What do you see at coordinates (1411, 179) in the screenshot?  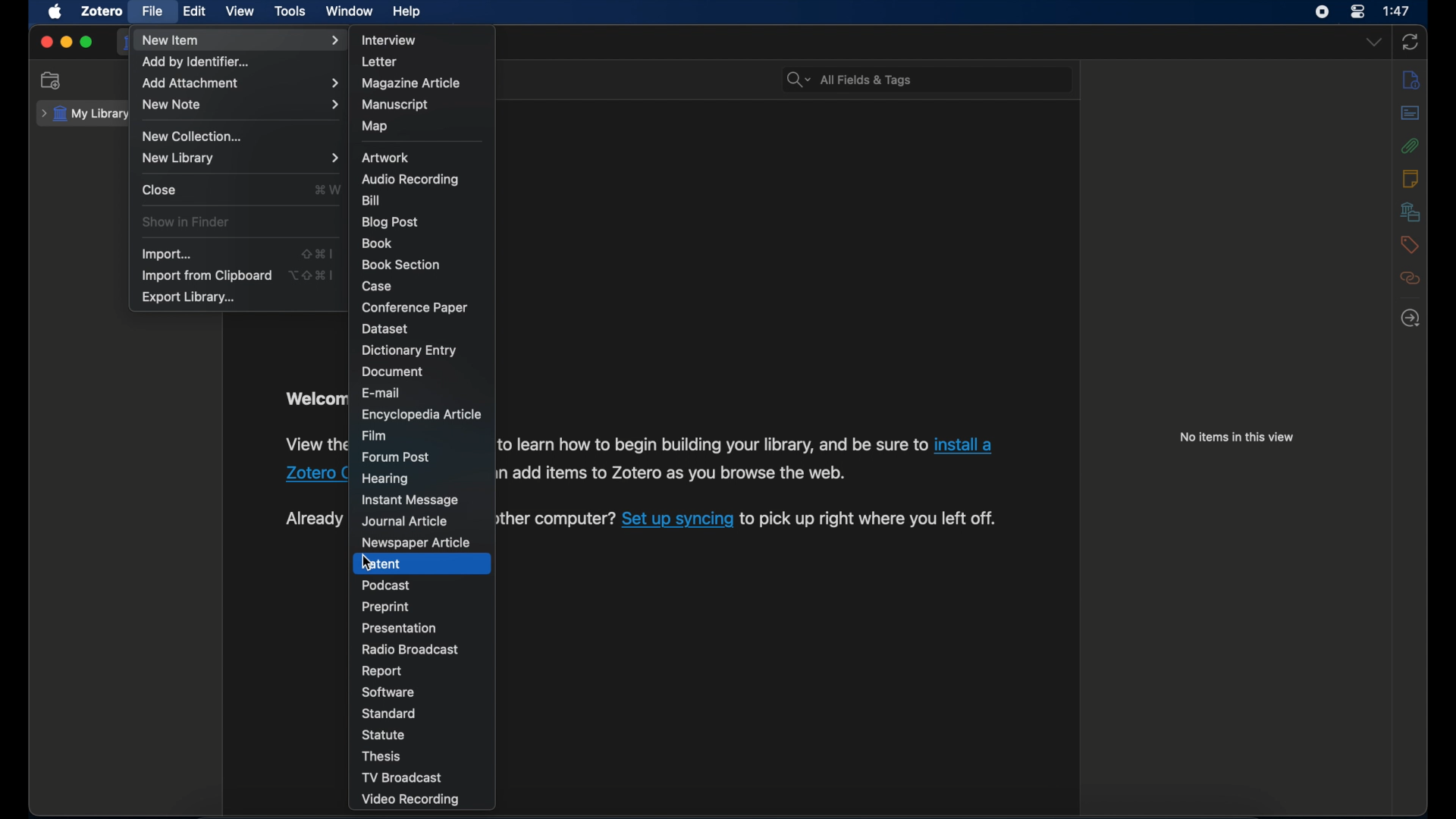 I see `notes` at bounding box center [1411, 179].